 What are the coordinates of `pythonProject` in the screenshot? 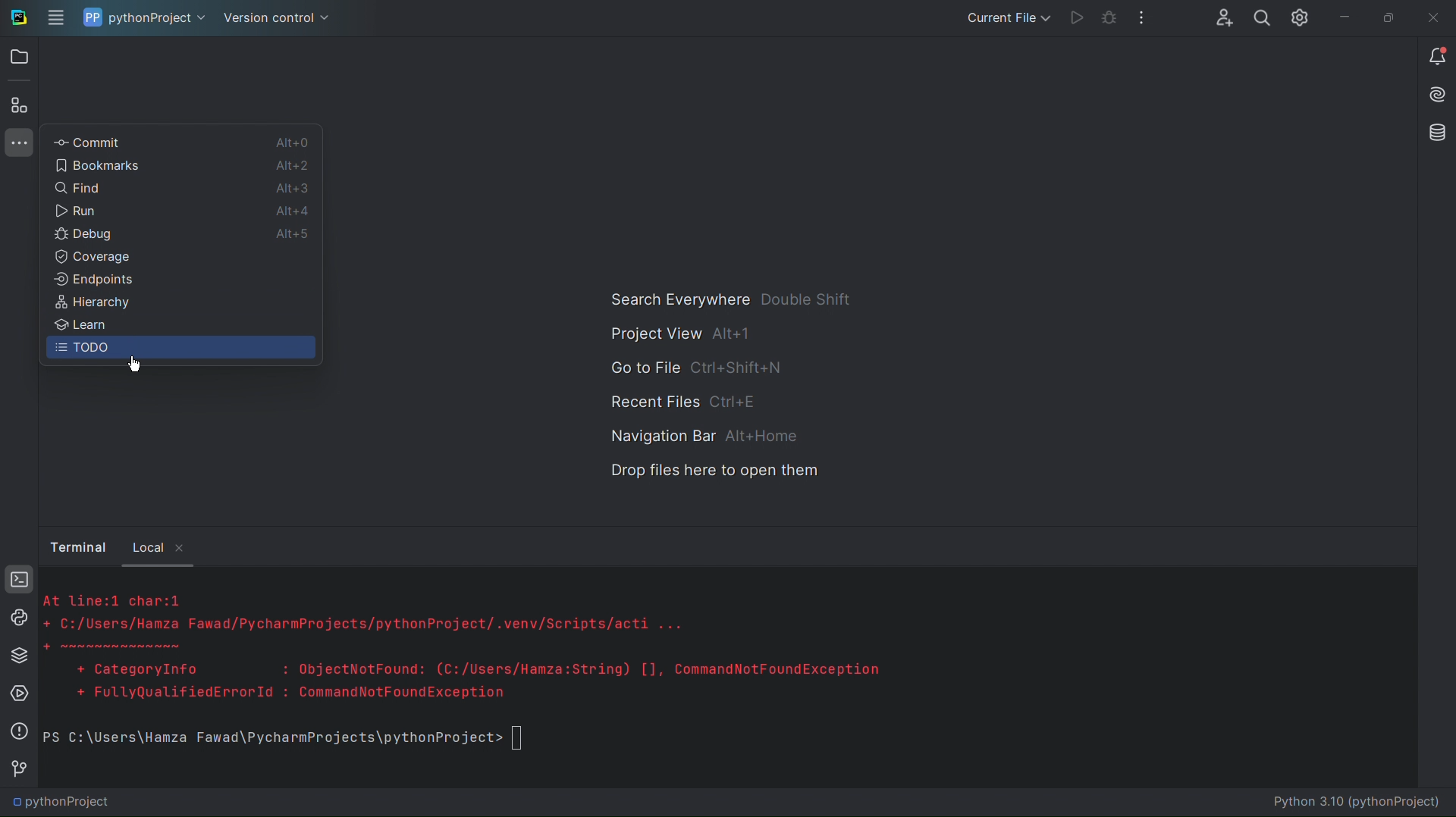 It's located at (146, 19).